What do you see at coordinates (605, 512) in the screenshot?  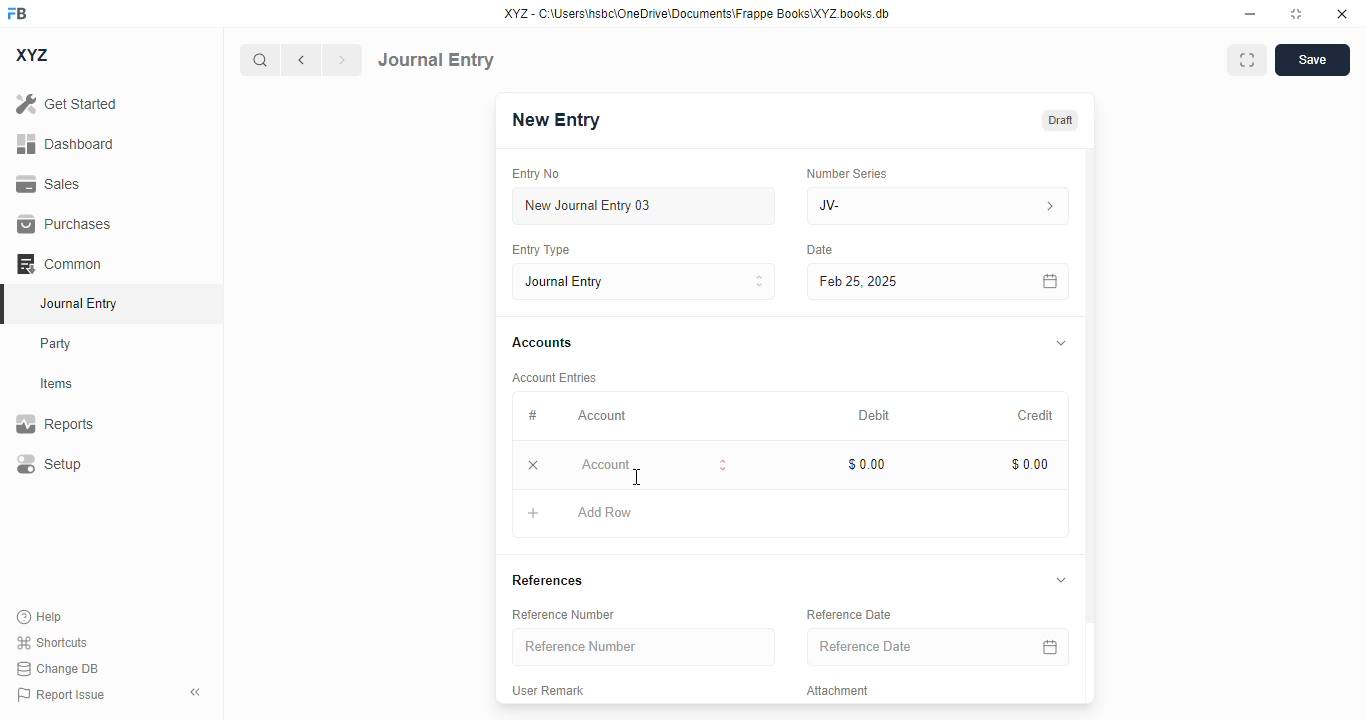 I see `add row` at bounding box center [605, 512].